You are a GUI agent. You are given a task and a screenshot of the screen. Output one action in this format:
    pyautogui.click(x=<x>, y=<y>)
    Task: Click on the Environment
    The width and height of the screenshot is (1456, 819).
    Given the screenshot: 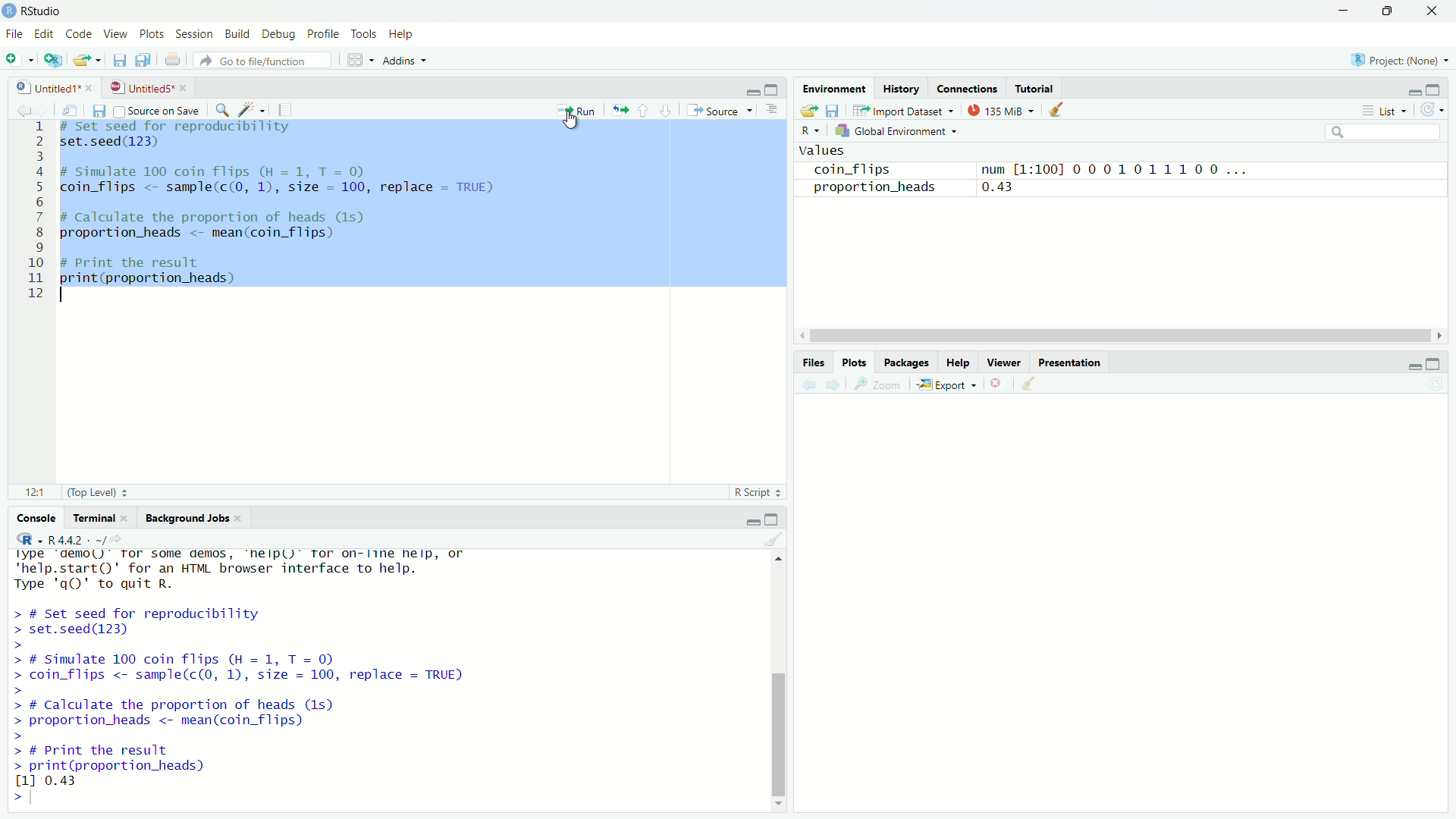 What is the action you would take?
    pyautogui.click(x=835, y=89)
    